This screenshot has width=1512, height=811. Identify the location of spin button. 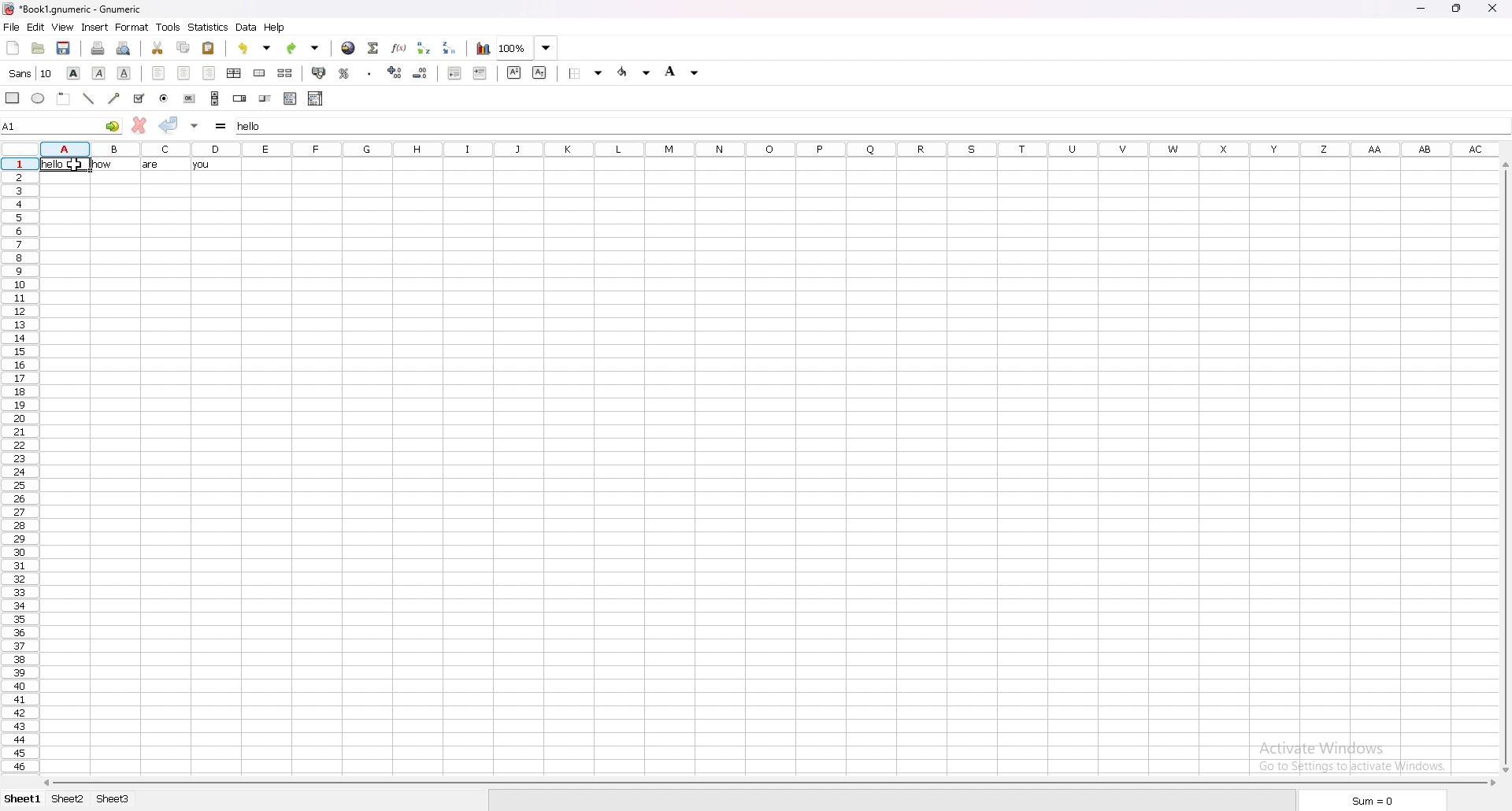
(239, 98).